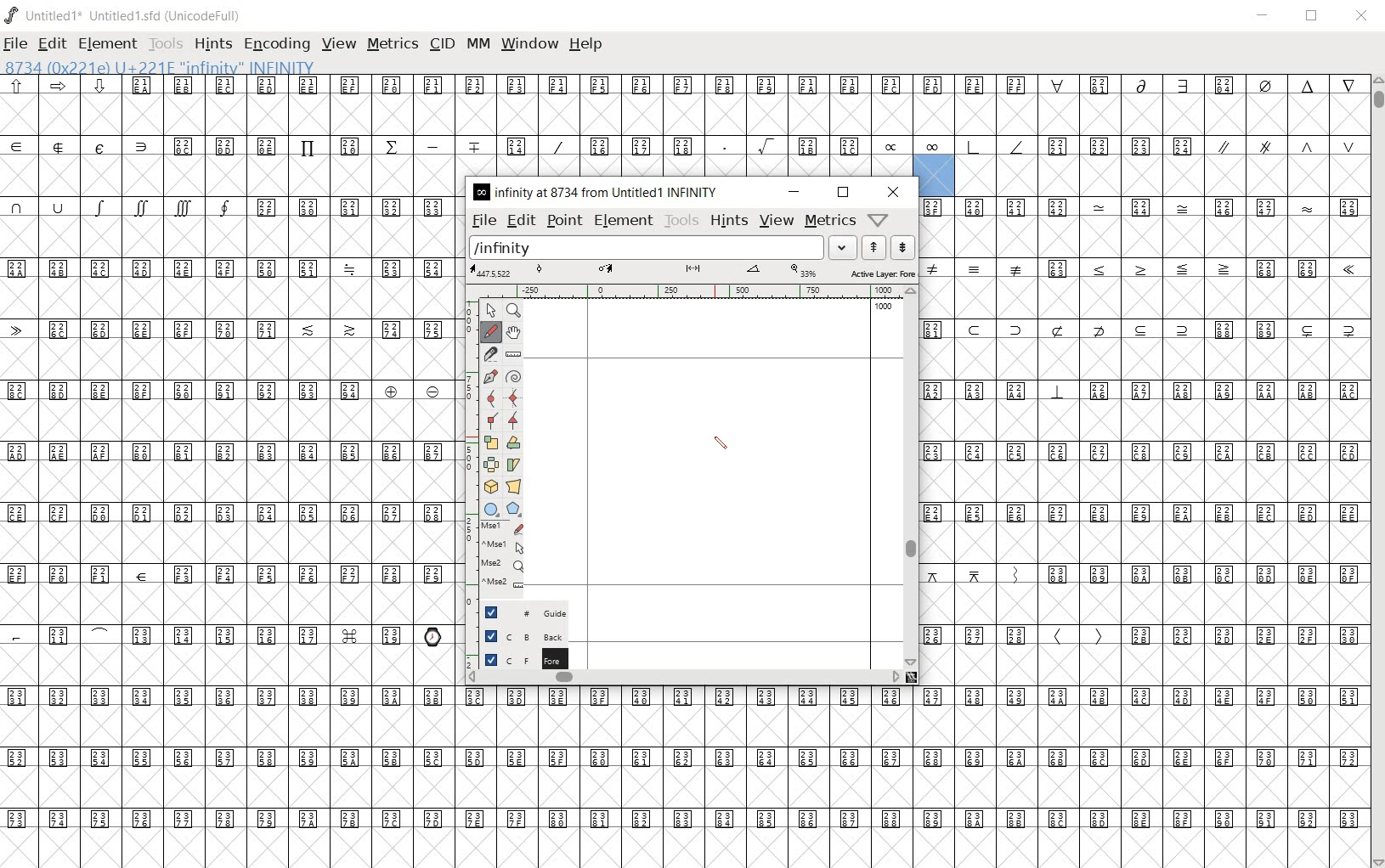 The image size is (1385, 868). I want to click on Unicode code points, so click(212, 634).